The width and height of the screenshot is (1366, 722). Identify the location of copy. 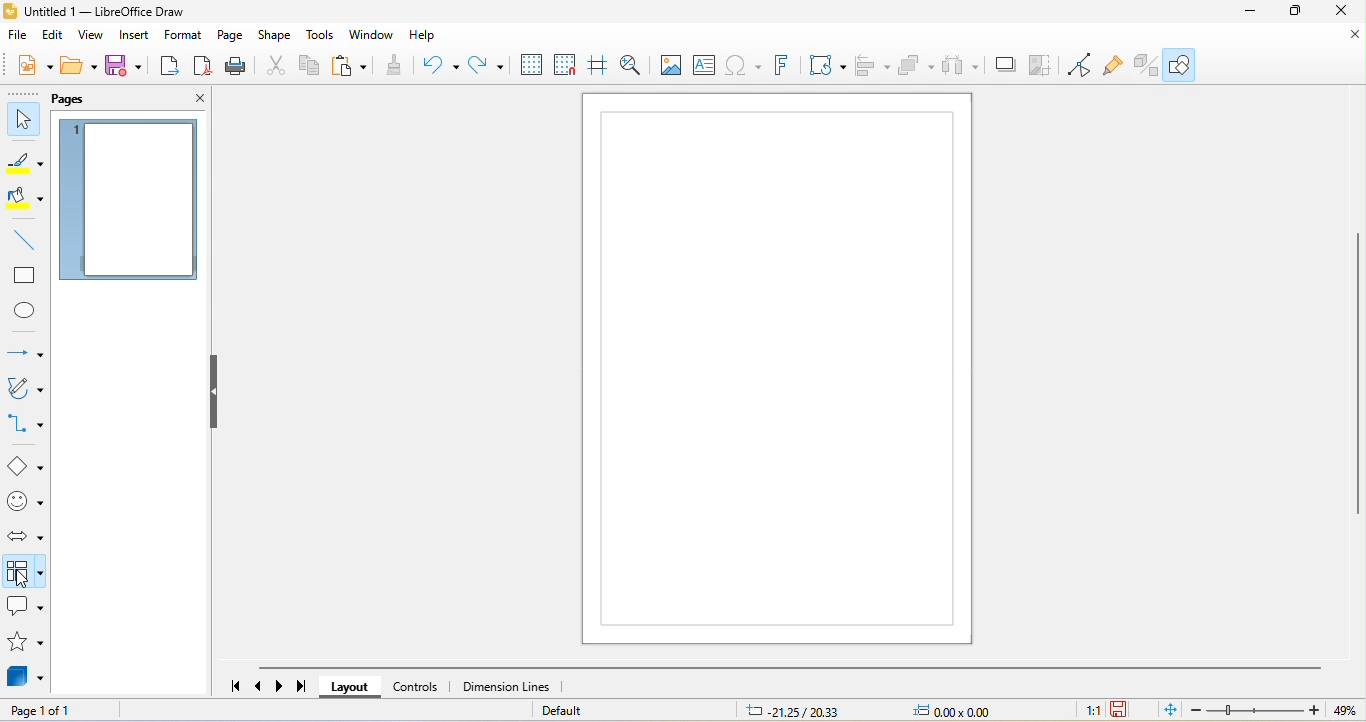
(310, 68).